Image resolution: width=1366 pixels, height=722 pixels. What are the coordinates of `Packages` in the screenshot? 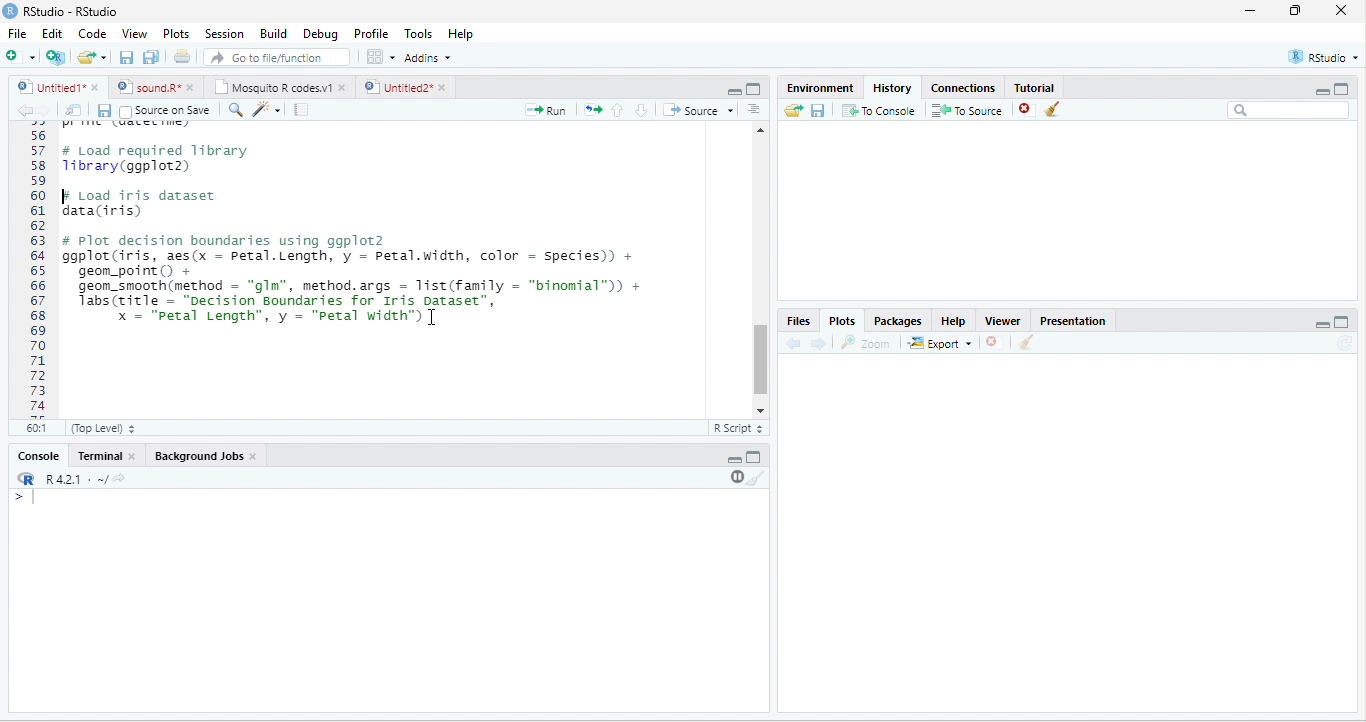 It's located at (898, 322).